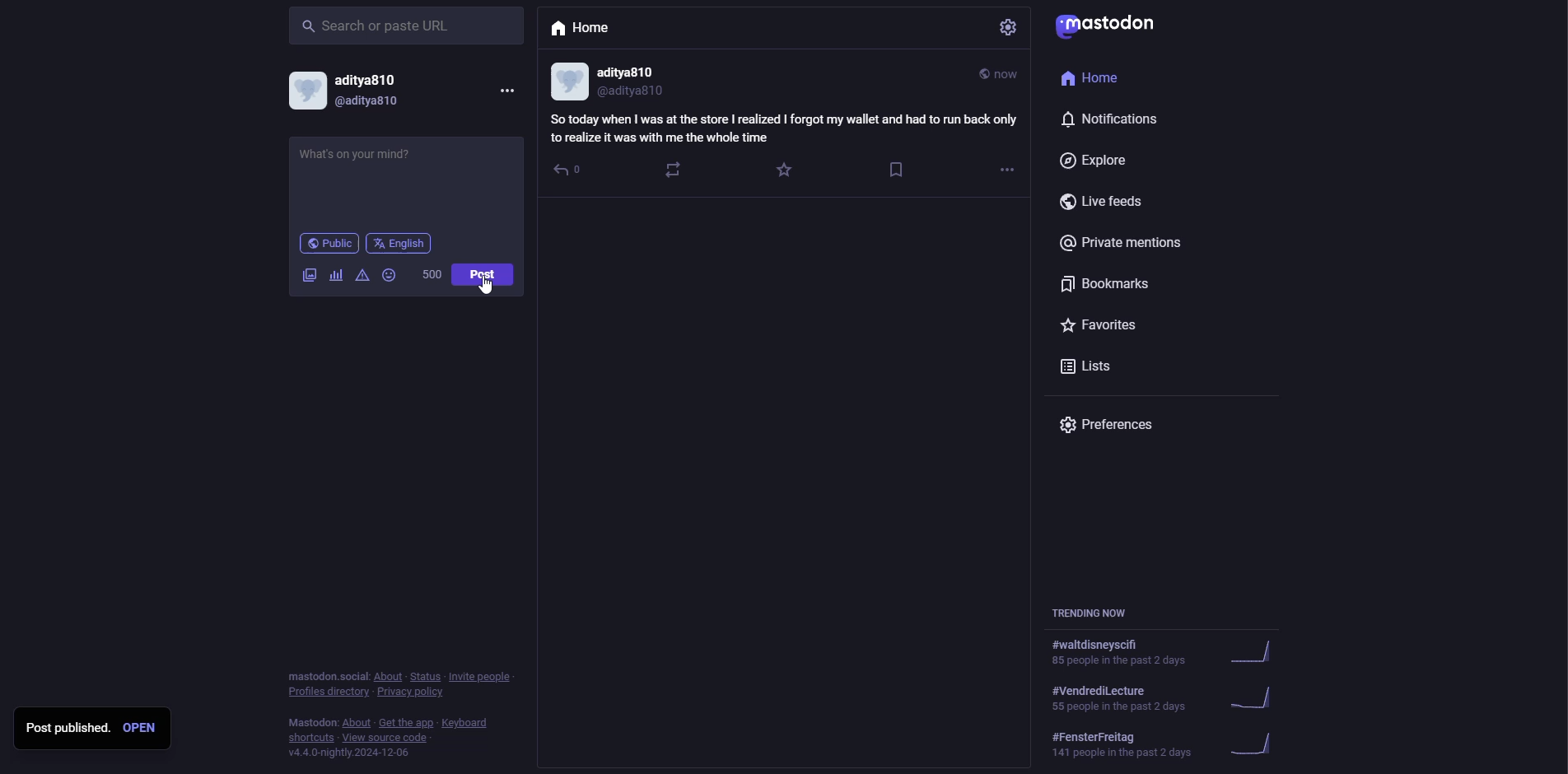  Describe the element at coordinates (1112, 427) in the screenshot. I see `preferences` at that location.